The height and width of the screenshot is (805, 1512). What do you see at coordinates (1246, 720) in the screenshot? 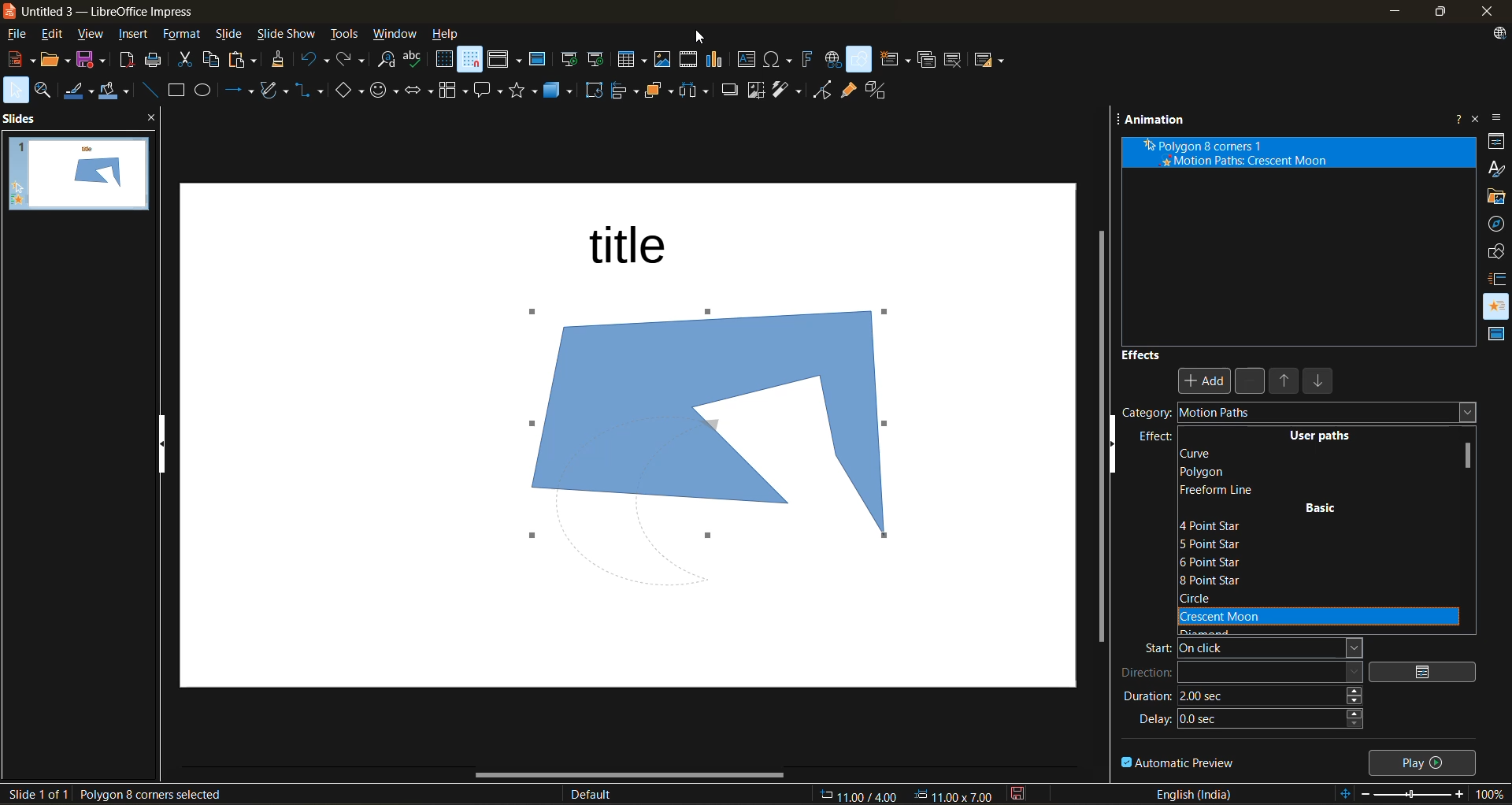
I see `delay` at bounding box center [1246, 720].